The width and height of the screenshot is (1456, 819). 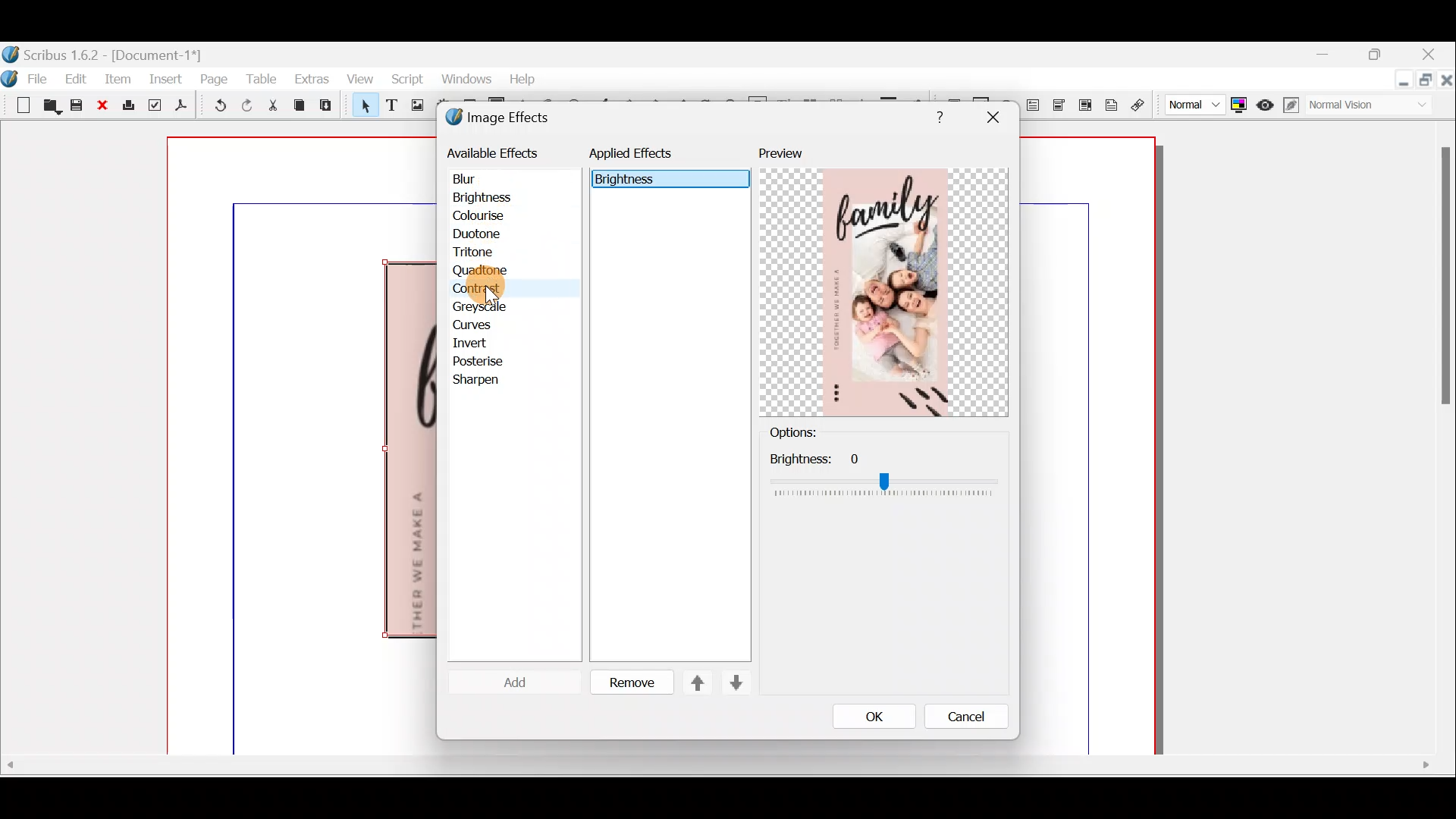 I want to click on Options, so click(x=818, y=433).